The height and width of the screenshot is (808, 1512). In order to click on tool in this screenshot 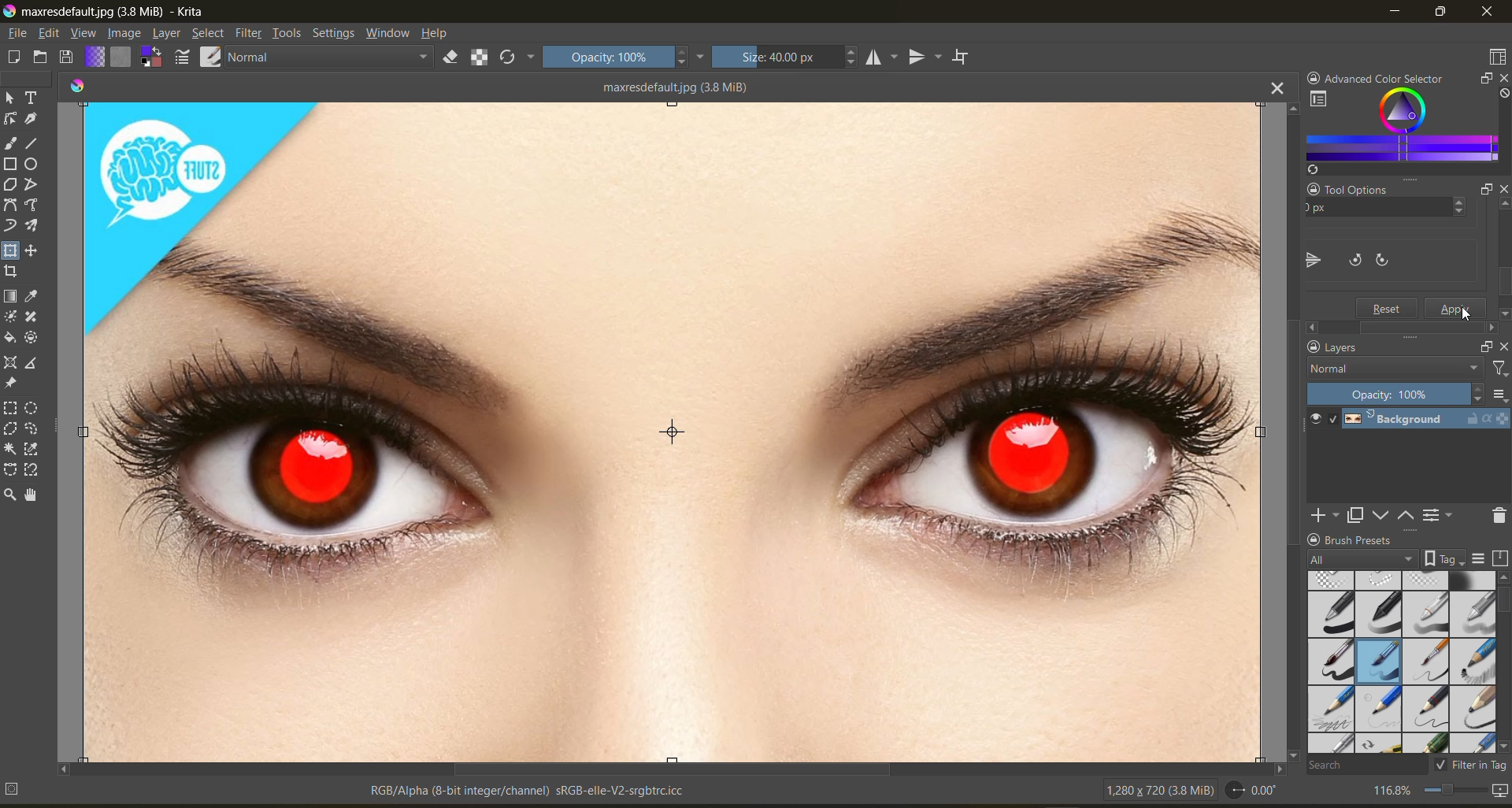, I will do `click(31, 317)`.